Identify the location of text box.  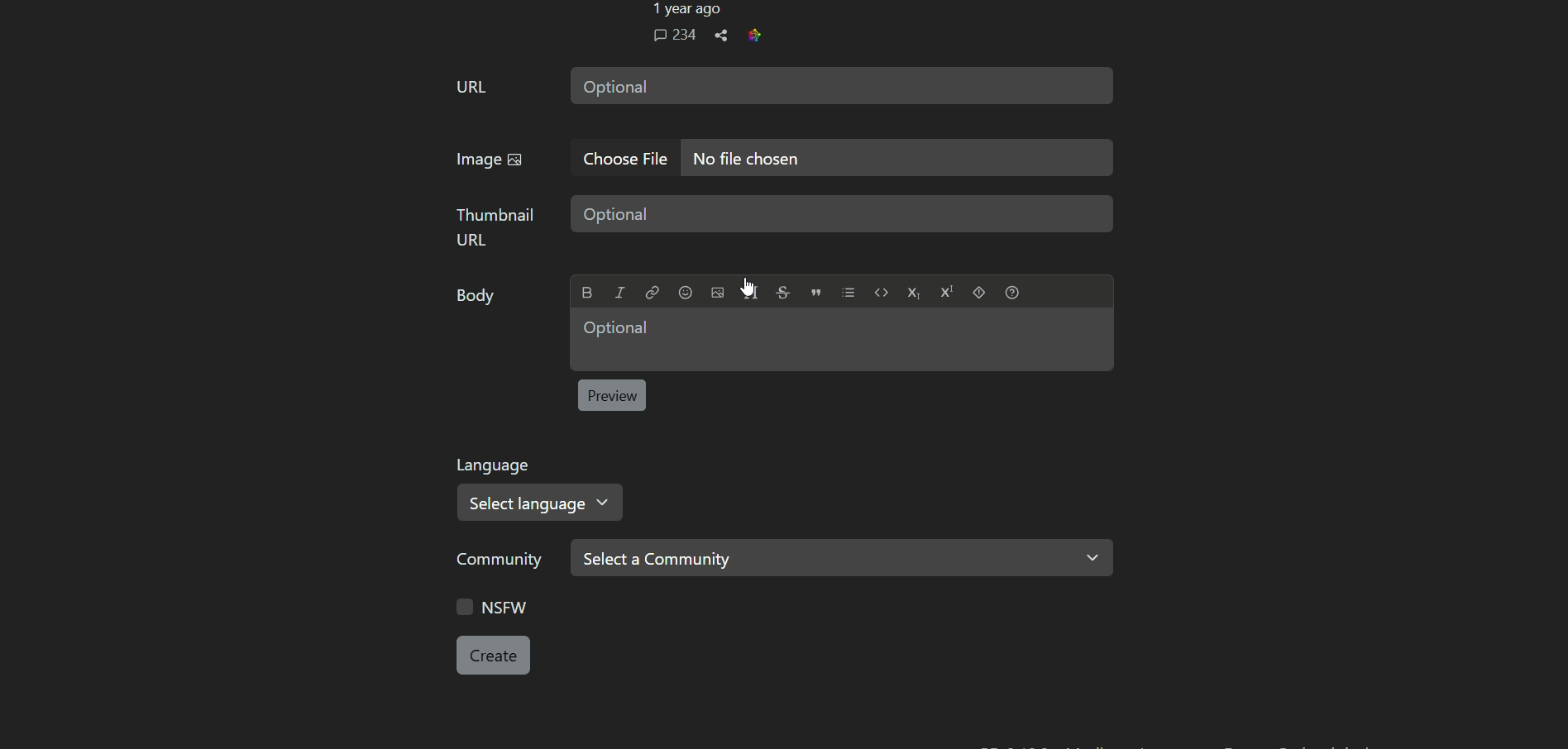
(896, 159).